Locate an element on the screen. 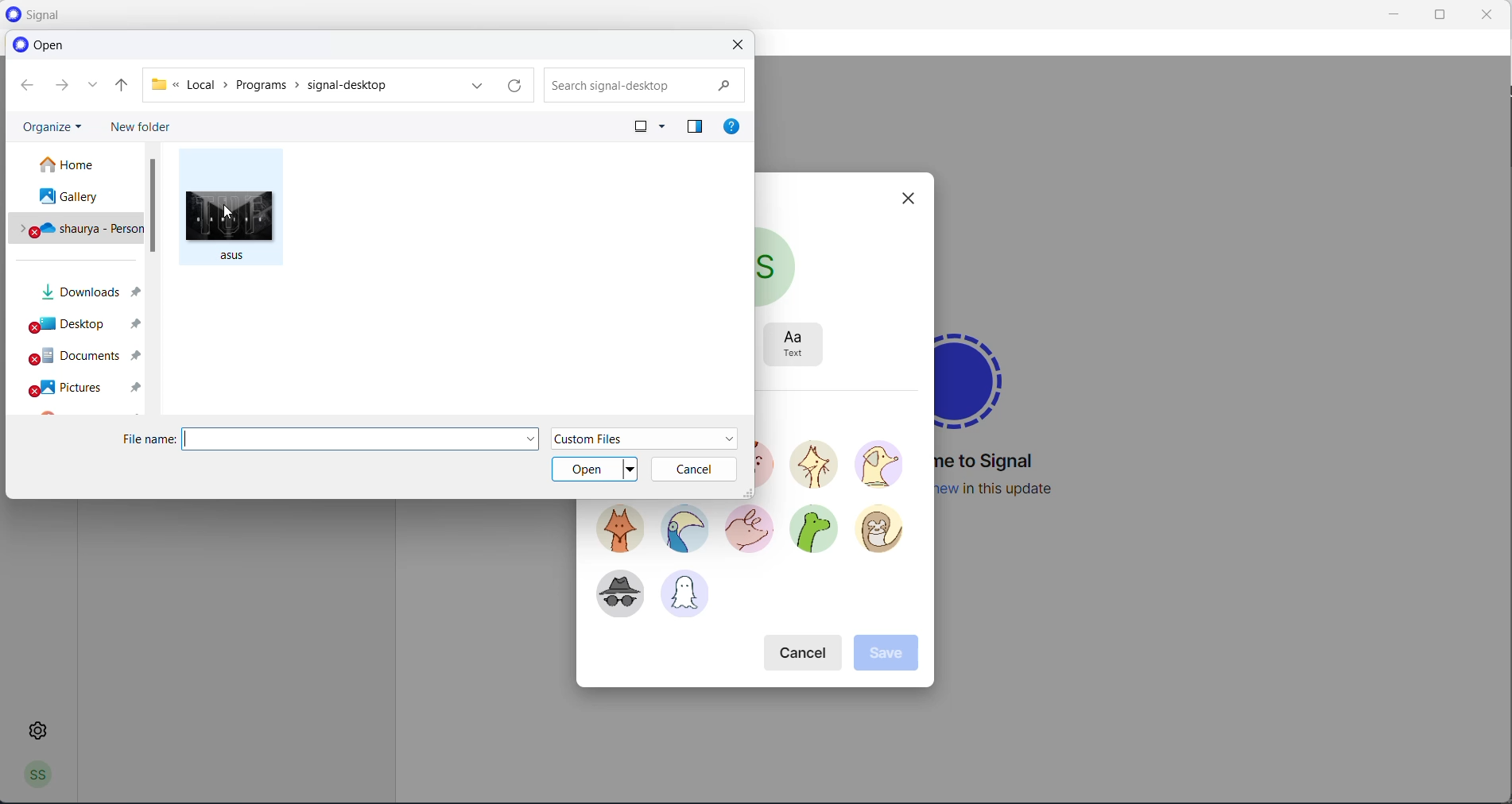 This screenshot has height=804, width=1512. avatar is located at coordinates (883, 535).